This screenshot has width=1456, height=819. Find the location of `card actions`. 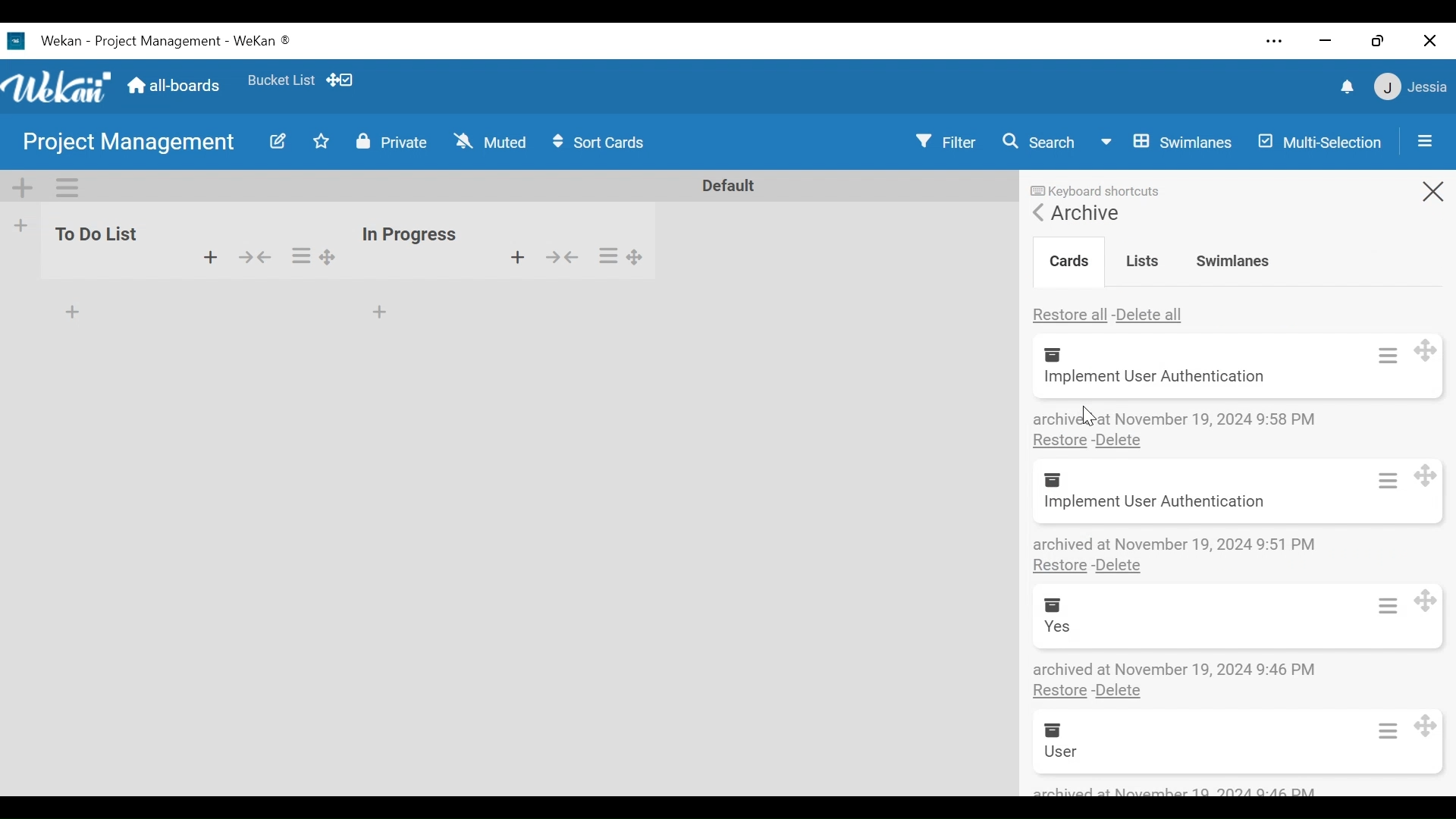

card actions is located at coordinates (1390, 358).